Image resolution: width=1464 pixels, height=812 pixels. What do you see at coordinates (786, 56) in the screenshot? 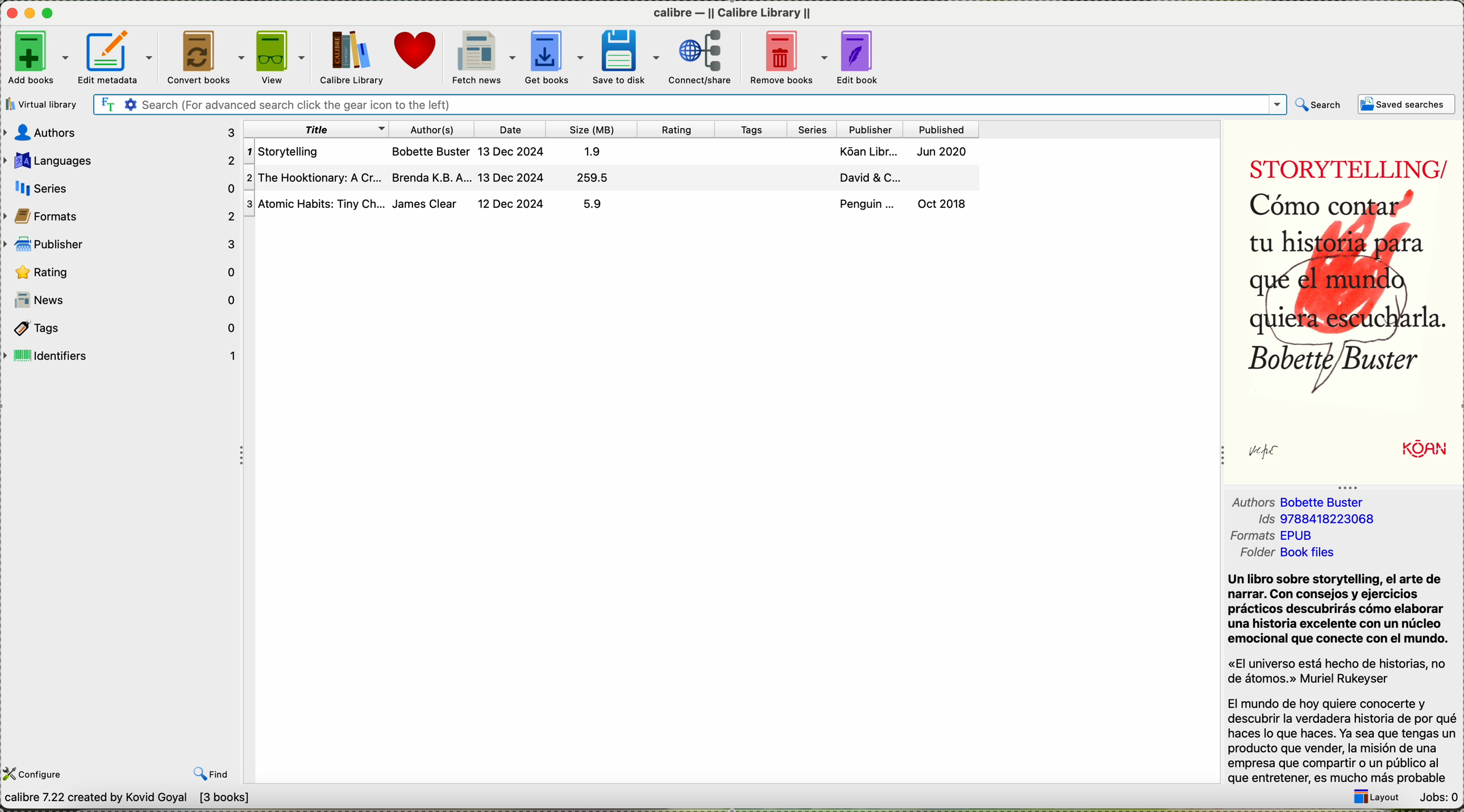
I see `remove books` at bounding box center [786, 56].